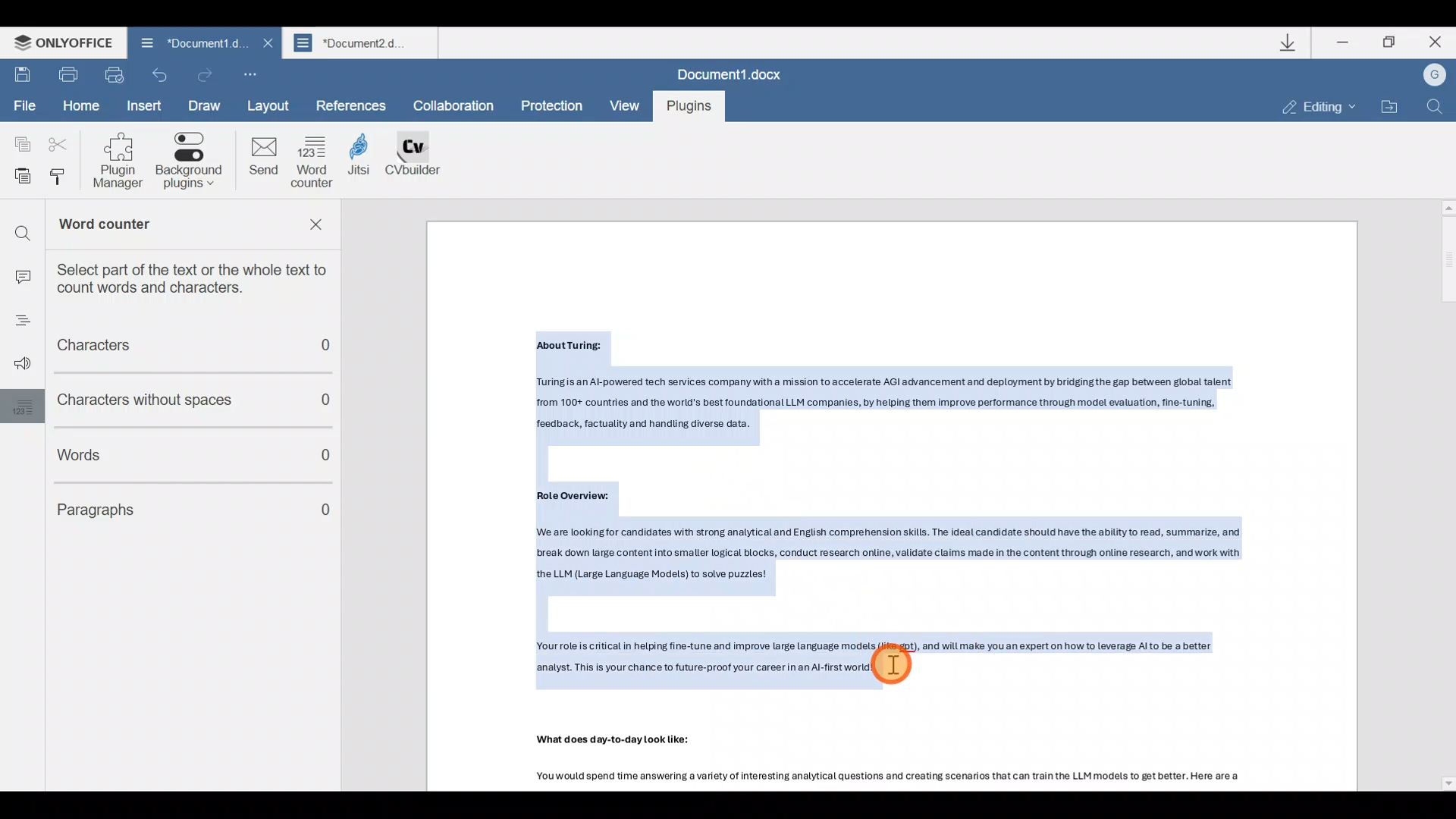 The image size is (1456, 819). Describe the element at coordinates (195, 42) in the screenshot. I see `Document name` at that location.